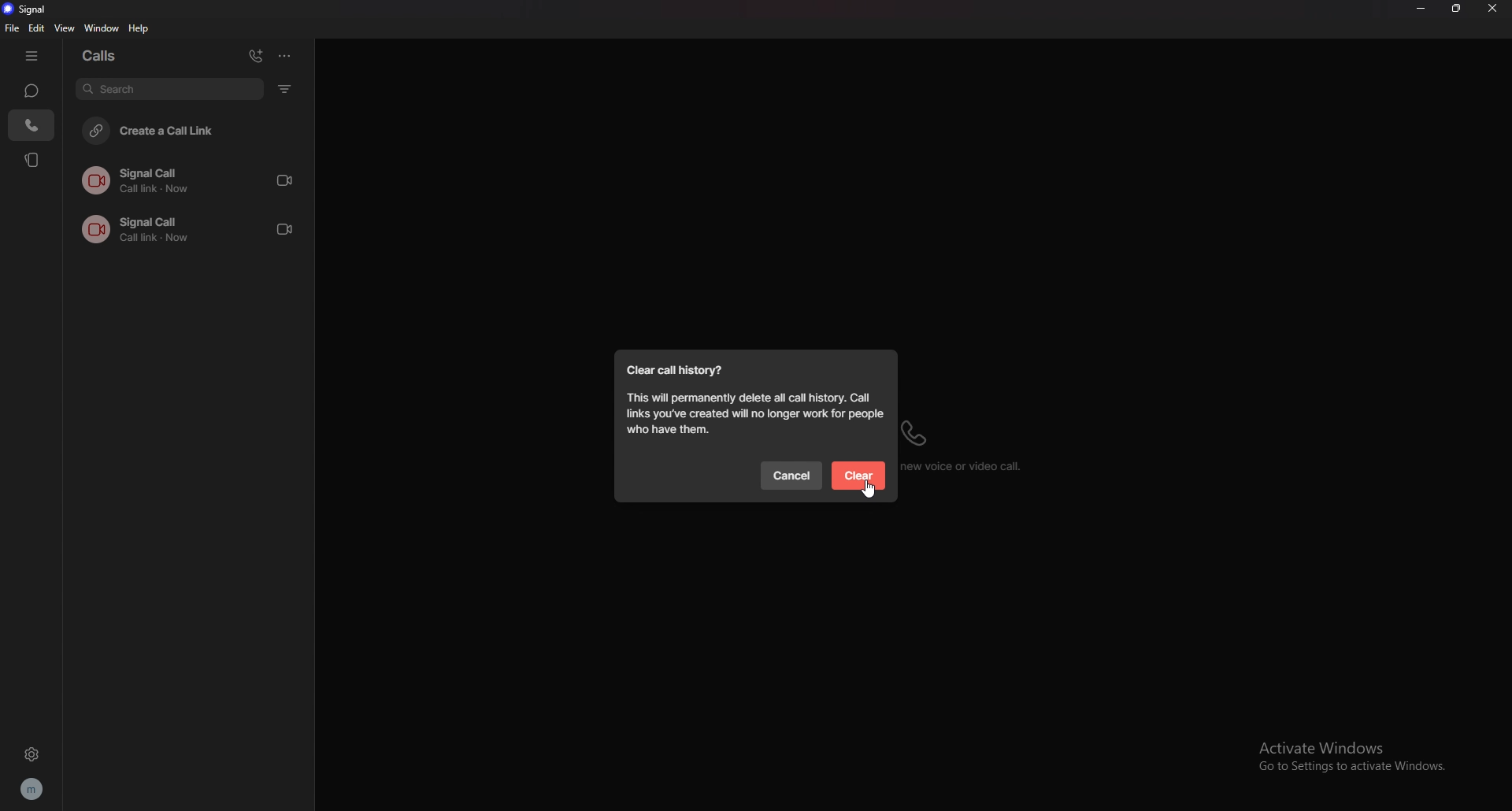 Image resolution: width=1512 pixels, height=811 pixels. I want to click on window, so click(102, 29).